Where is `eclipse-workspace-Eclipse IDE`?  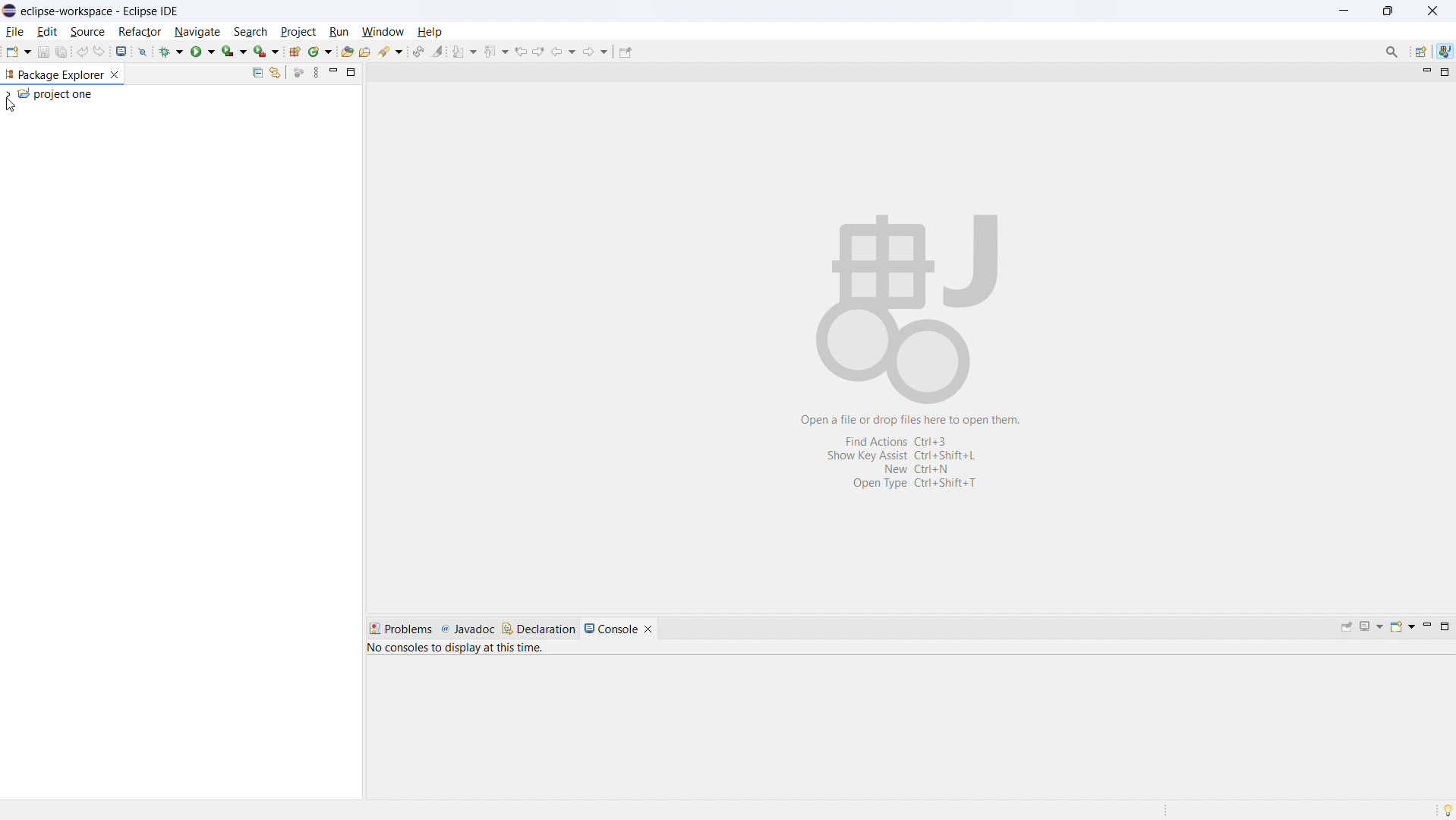 eclipse-workspace-Eclipse IDE is located at coordinates (99, 11).